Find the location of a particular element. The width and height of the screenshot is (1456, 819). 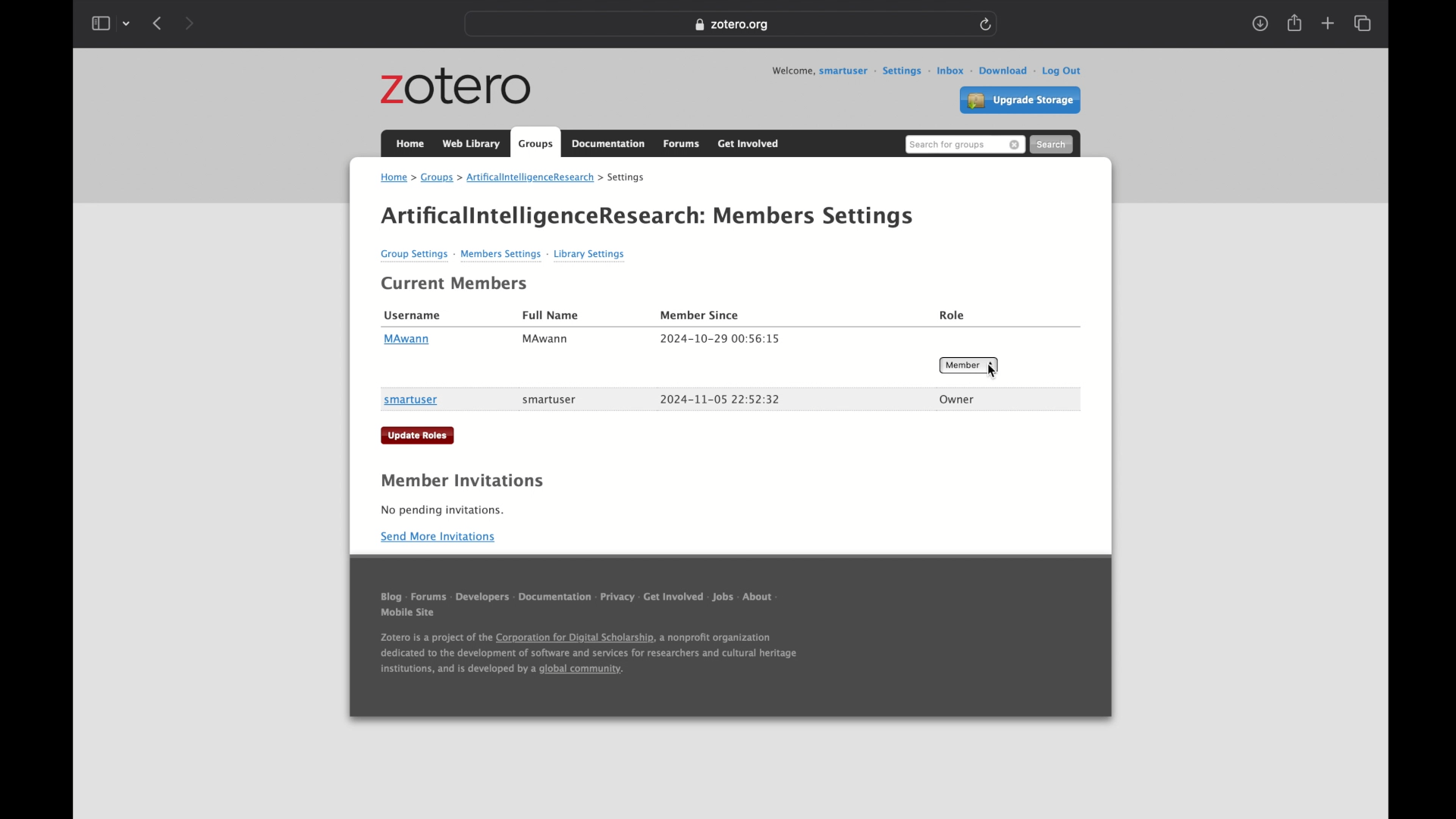

smart user is located at coordinates (550, 400).